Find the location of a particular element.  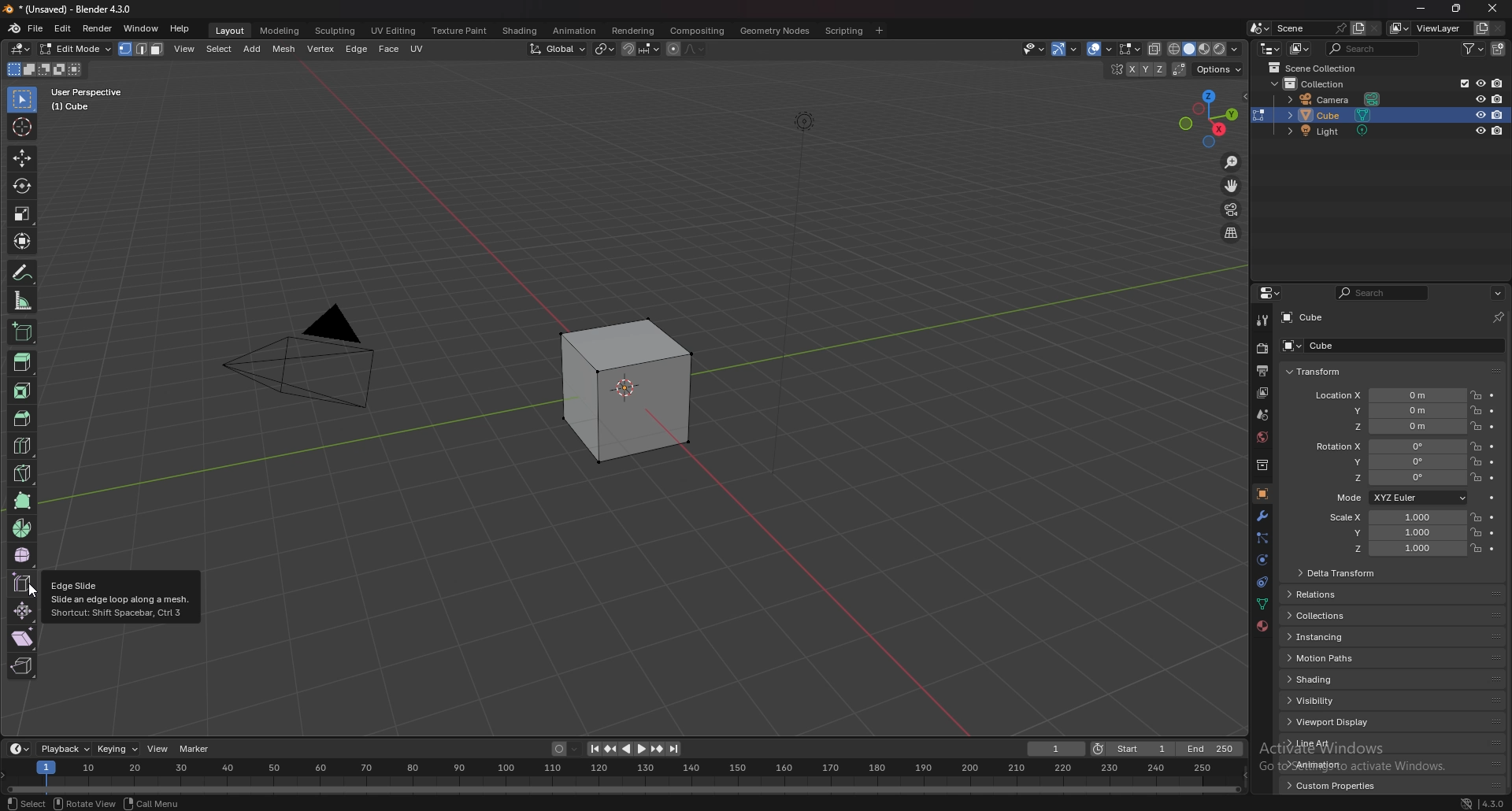

mesh edit mode is located at coordinates (1128, 50).